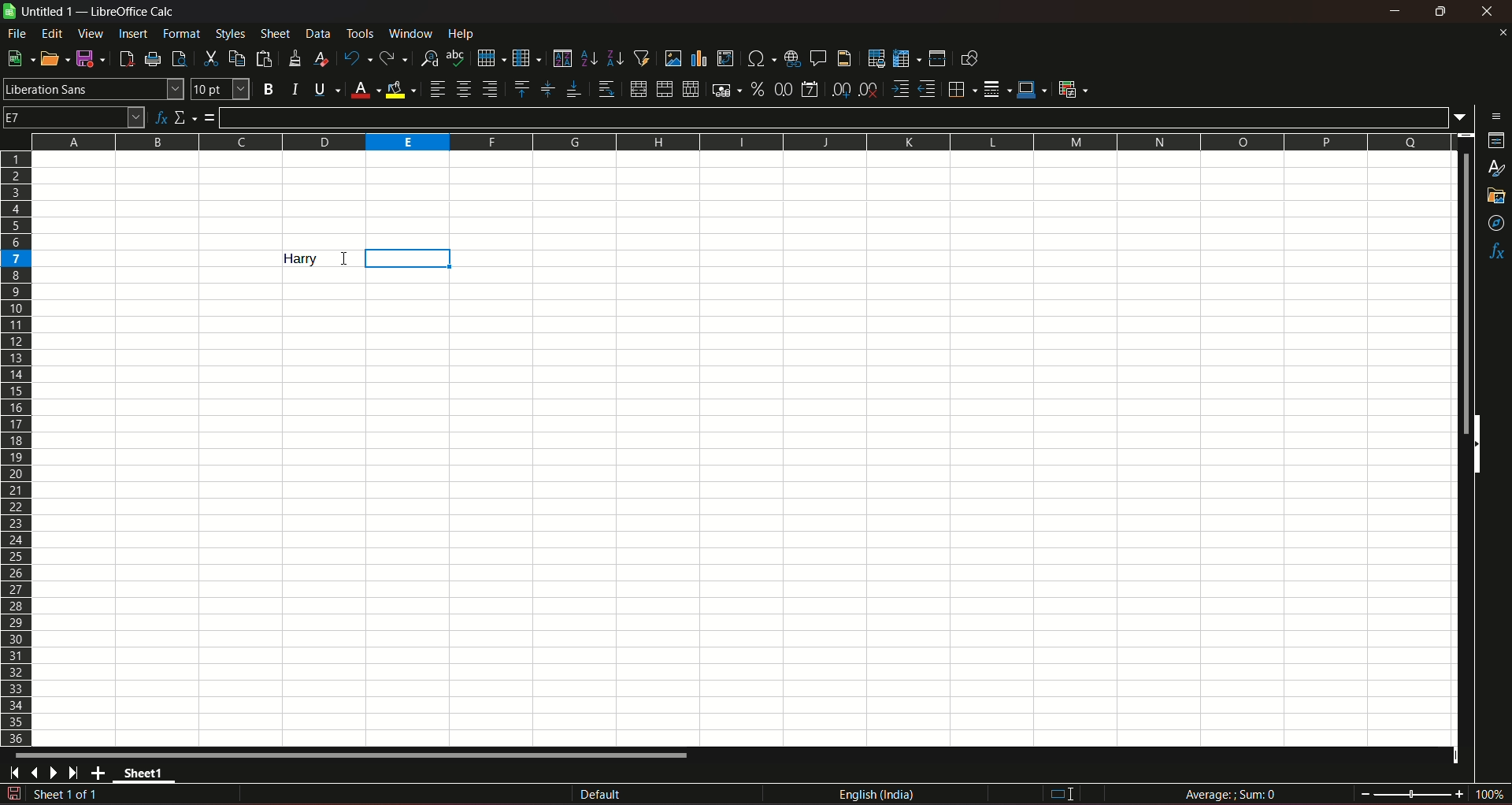 The height and width of the screenshot is (805, 1512). I want to click on gallery, so click(1495, 196).